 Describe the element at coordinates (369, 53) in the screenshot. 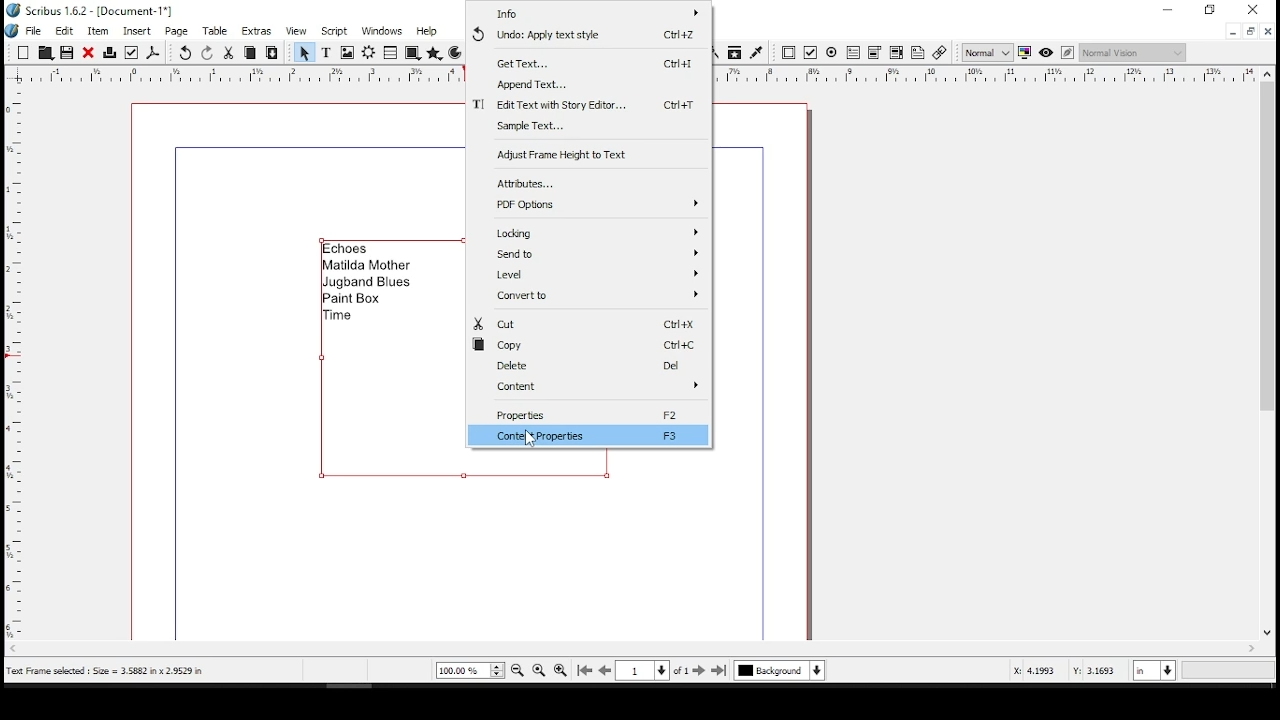

I see `render frame` at that location.